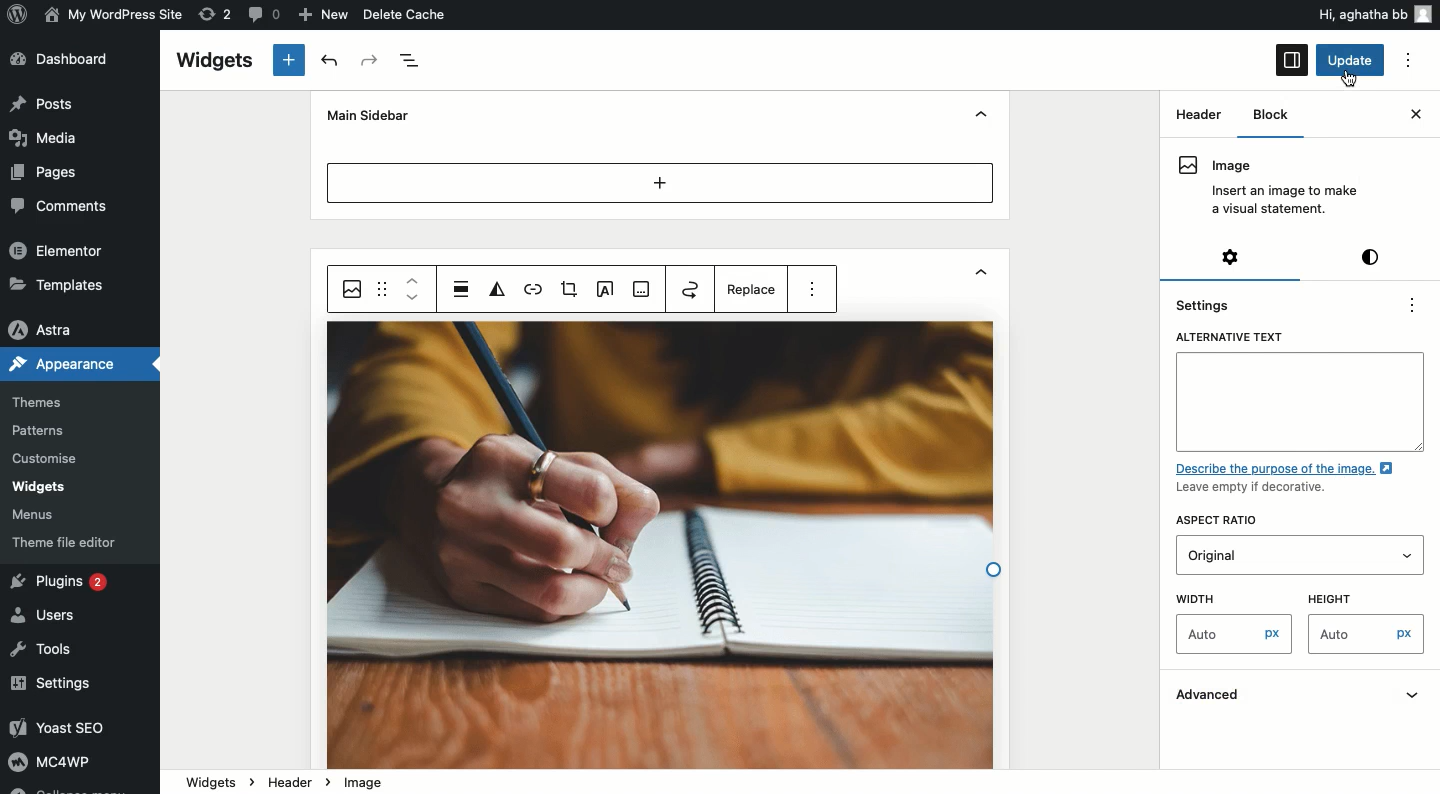  What do you see at coordinates (642, 290) in the screenshot?
I see `Add image` at bounding box center [642, 290].